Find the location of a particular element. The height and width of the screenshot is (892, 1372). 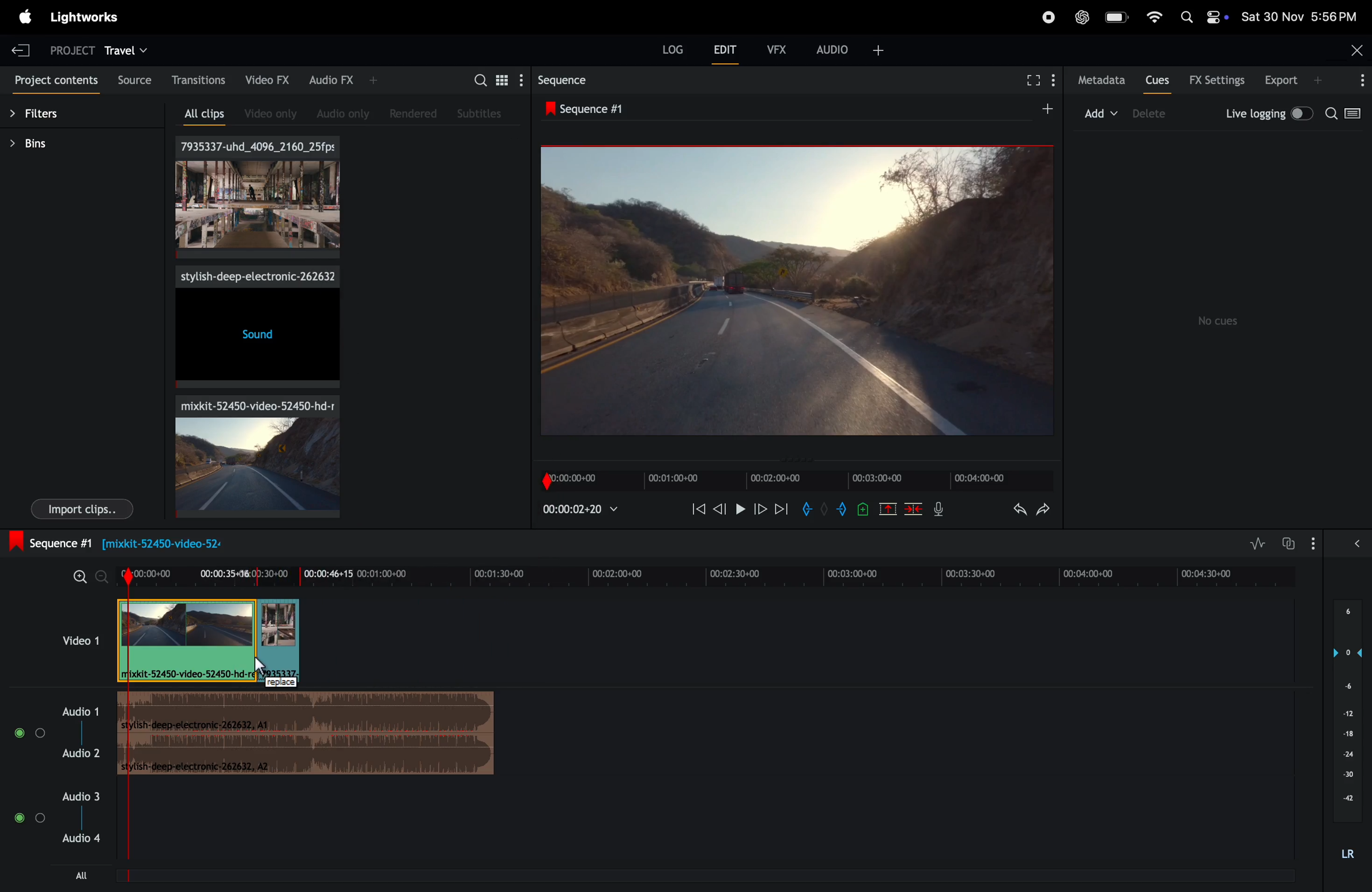

import clips is located at coordinates (82, 510).